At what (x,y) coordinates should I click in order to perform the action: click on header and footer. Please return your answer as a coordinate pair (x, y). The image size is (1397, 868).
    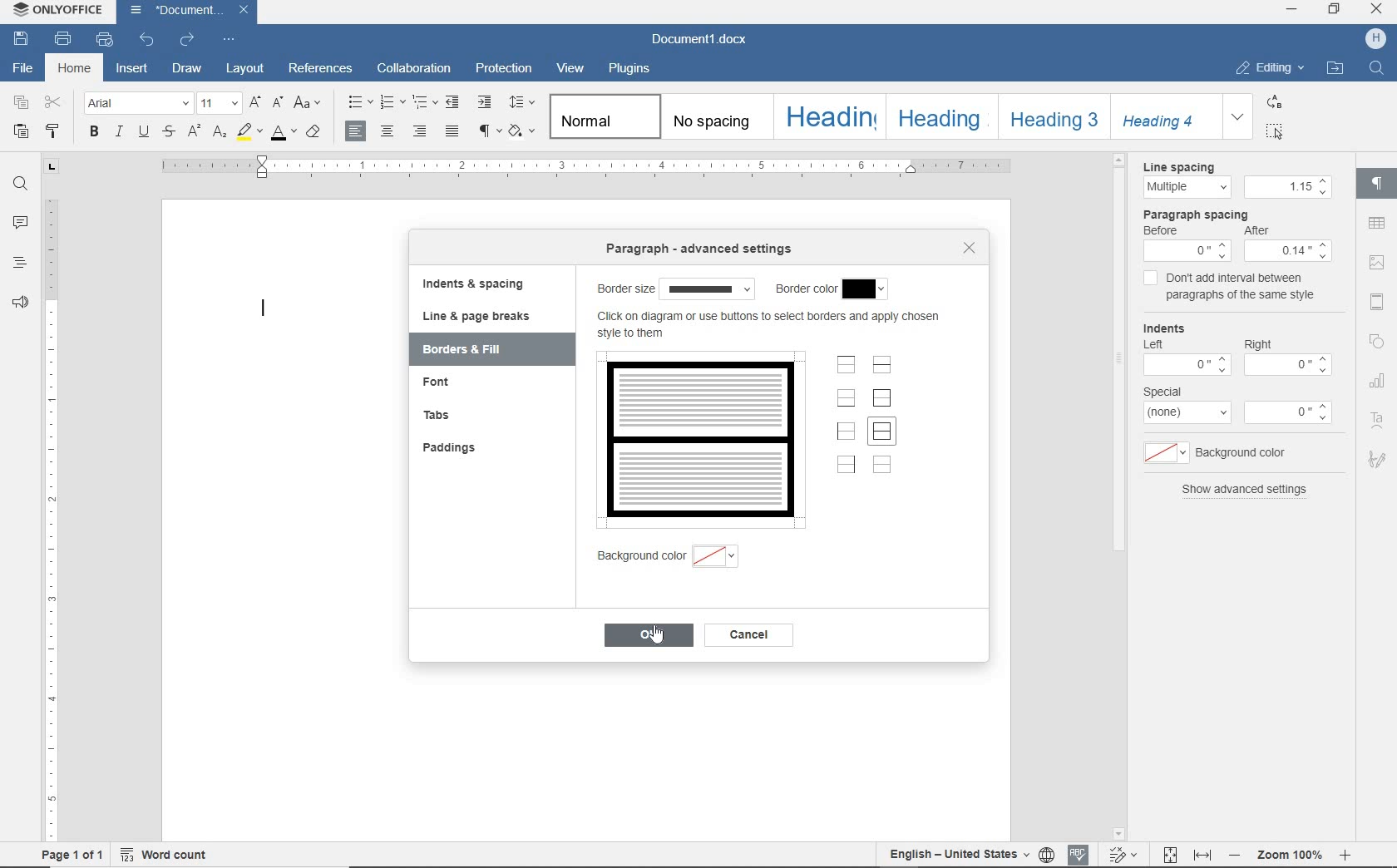
    Looking at the image, I should click on (1379, 303).